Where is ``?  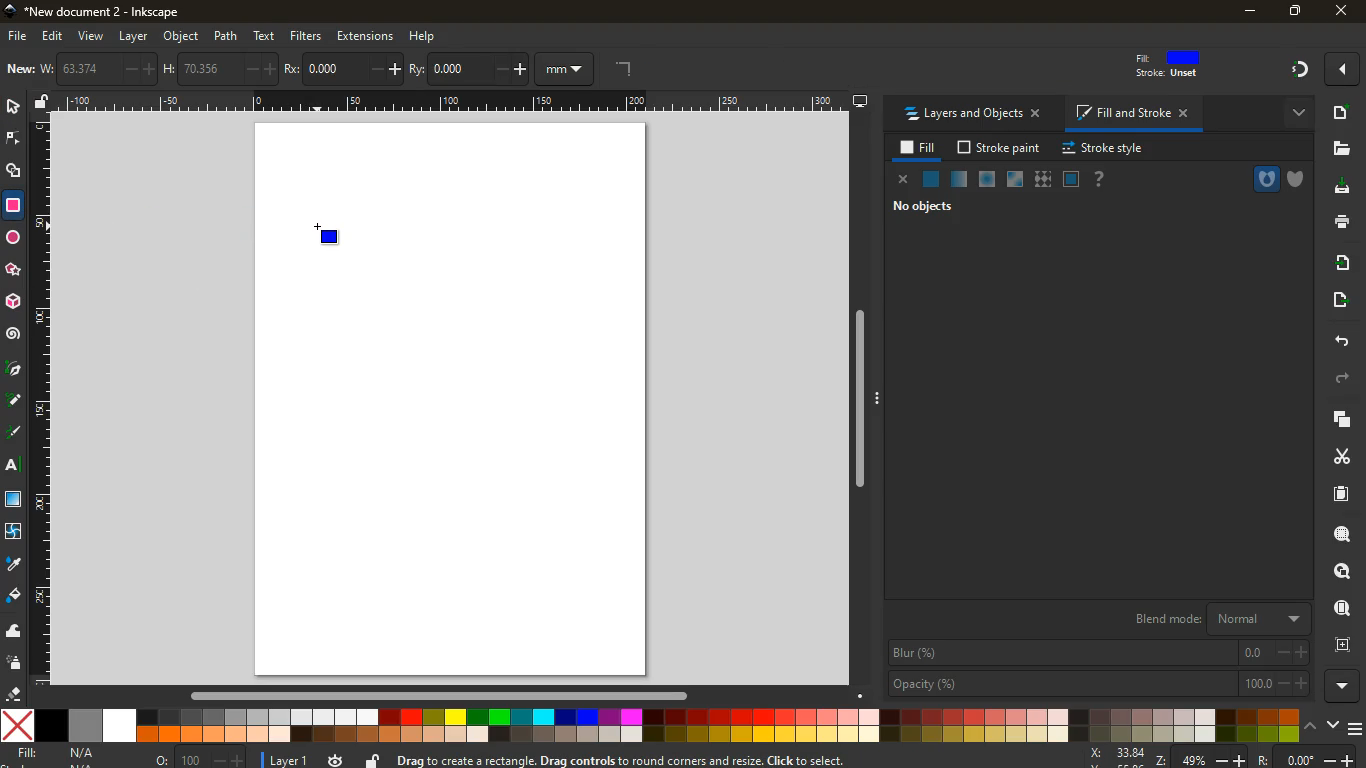
 is located at coordinates (1338, 71).